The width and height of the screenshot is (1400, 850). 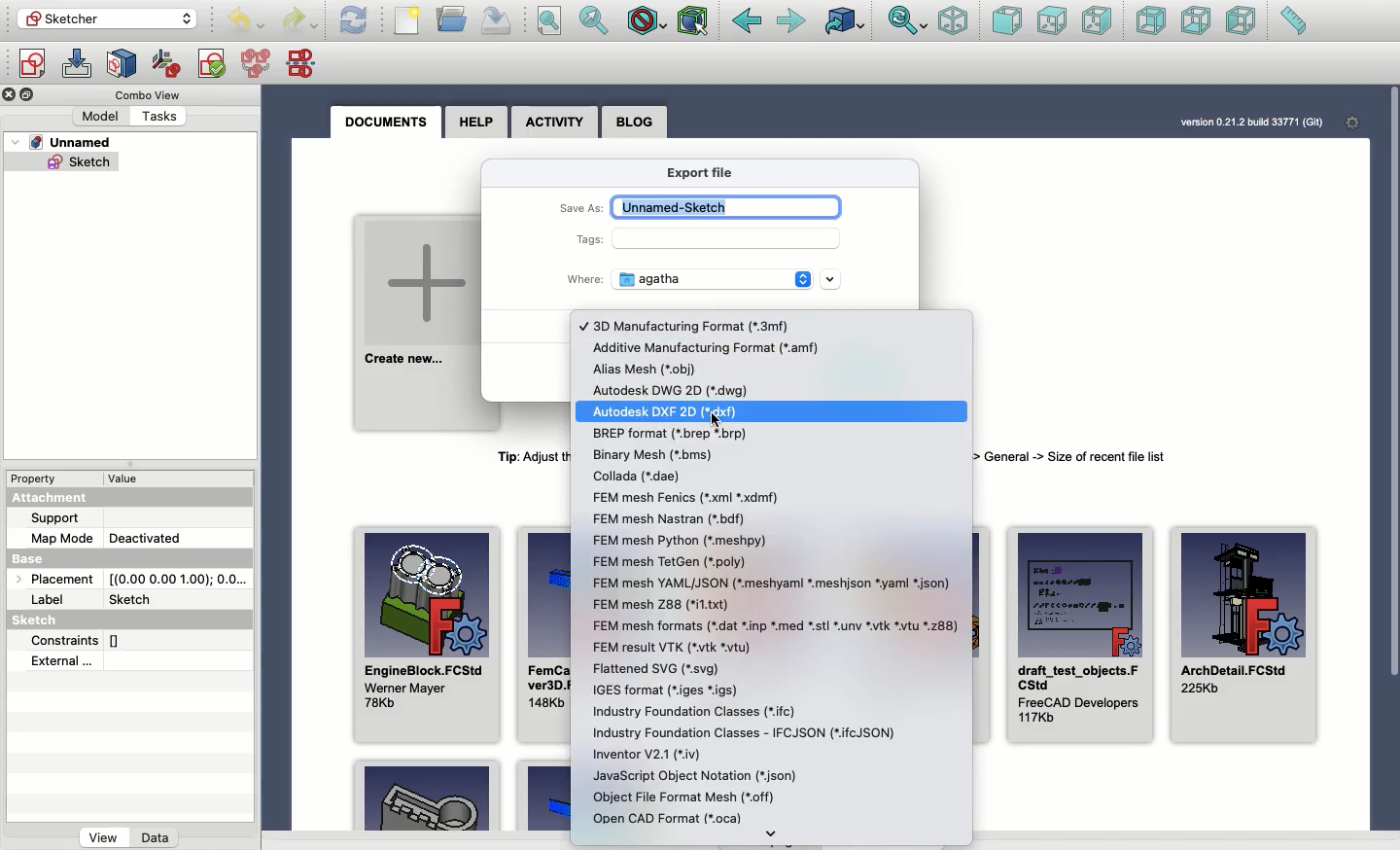 I want to click on cursor, so click(x=717, y=418).